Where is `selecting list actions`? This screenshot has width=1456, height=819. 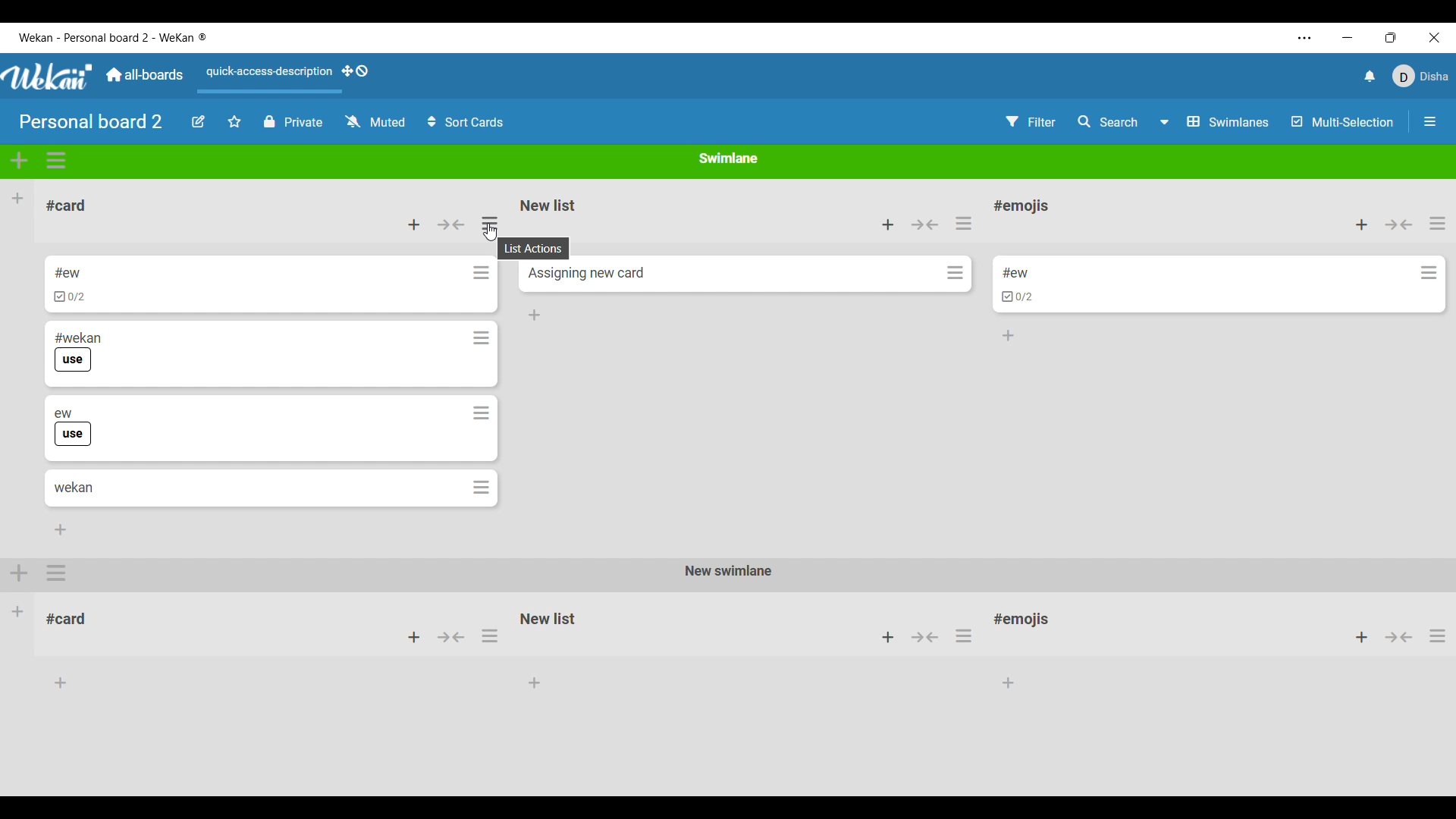
selecting list actions is located at coordinates (495, 221).